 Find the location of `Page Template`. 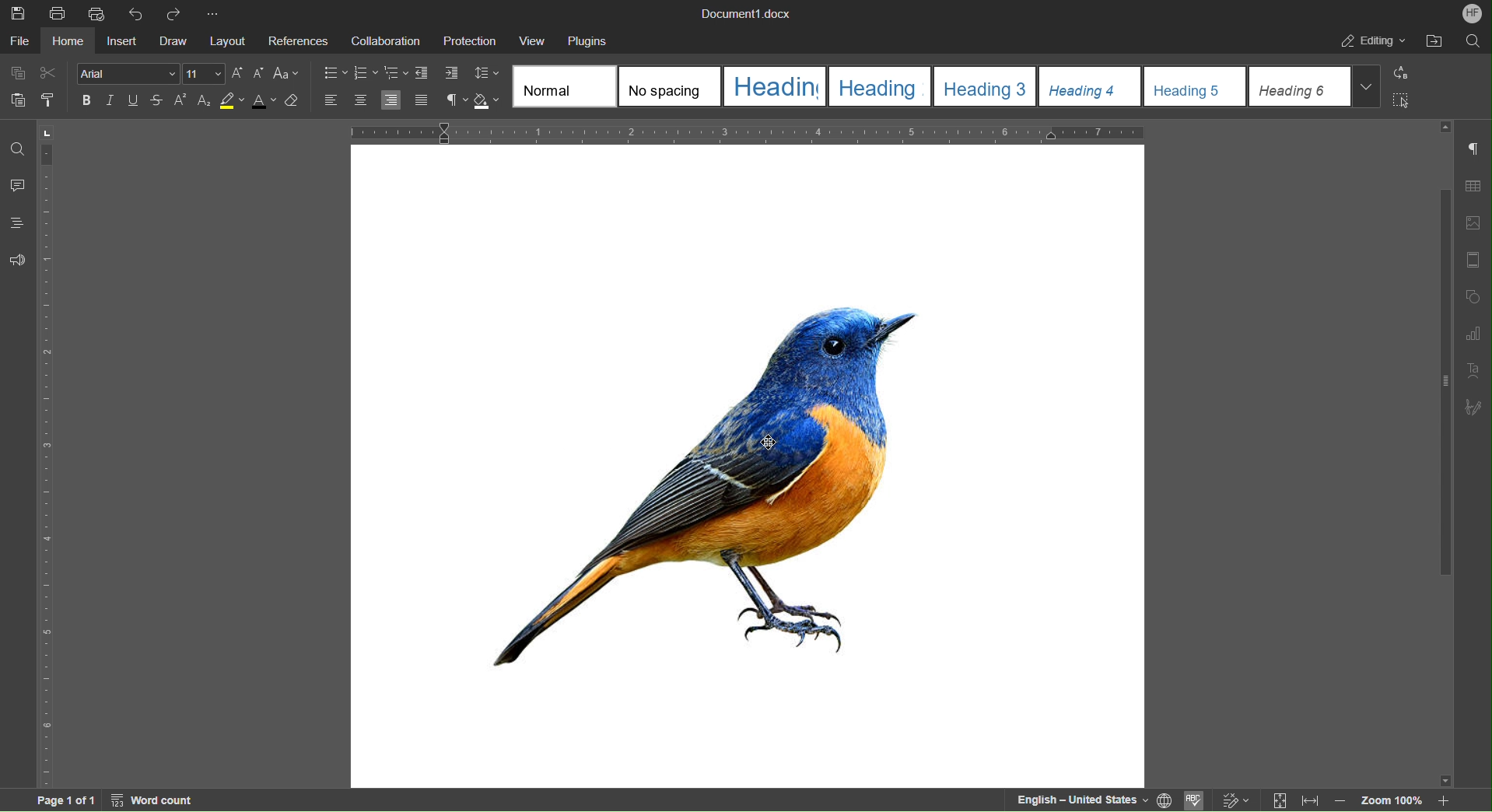

Page Template is located at coordinates (1473, 257).